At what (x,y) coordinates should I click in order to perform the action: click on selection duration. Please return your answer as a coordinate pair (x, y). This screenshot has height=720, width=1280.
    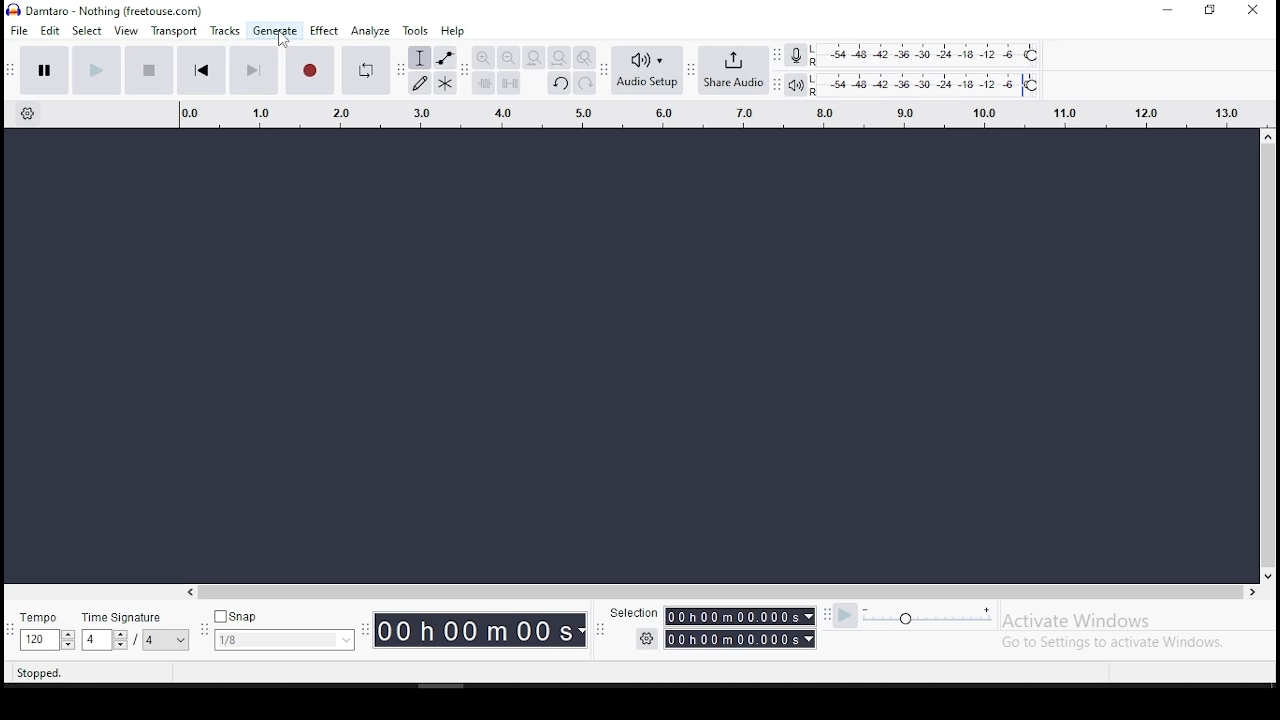
    Looking at the image, I should click on (745, 625).